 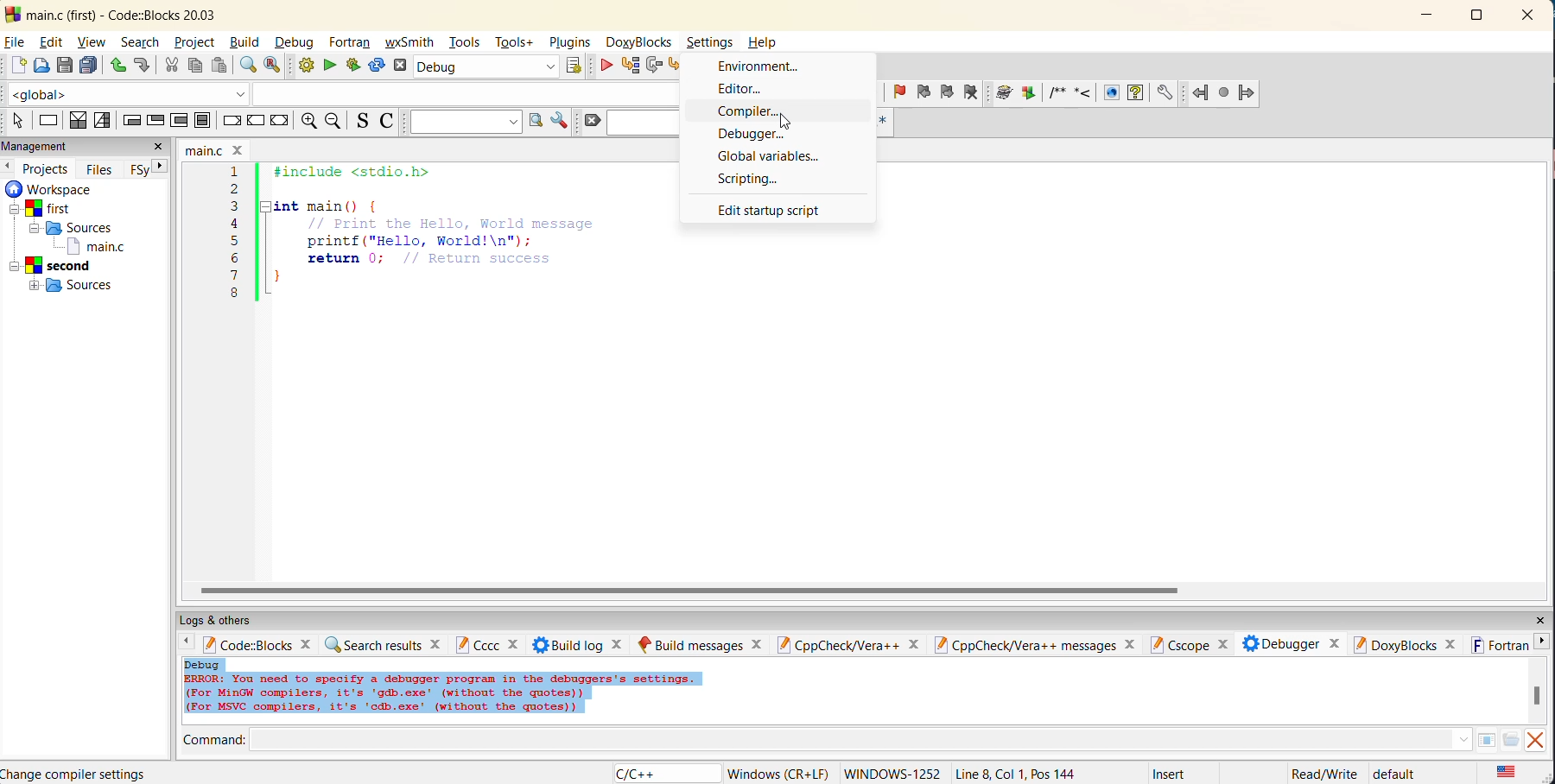 I want to click on Line 8, Col 1, Pos 144, so click(x=1016, y=773).